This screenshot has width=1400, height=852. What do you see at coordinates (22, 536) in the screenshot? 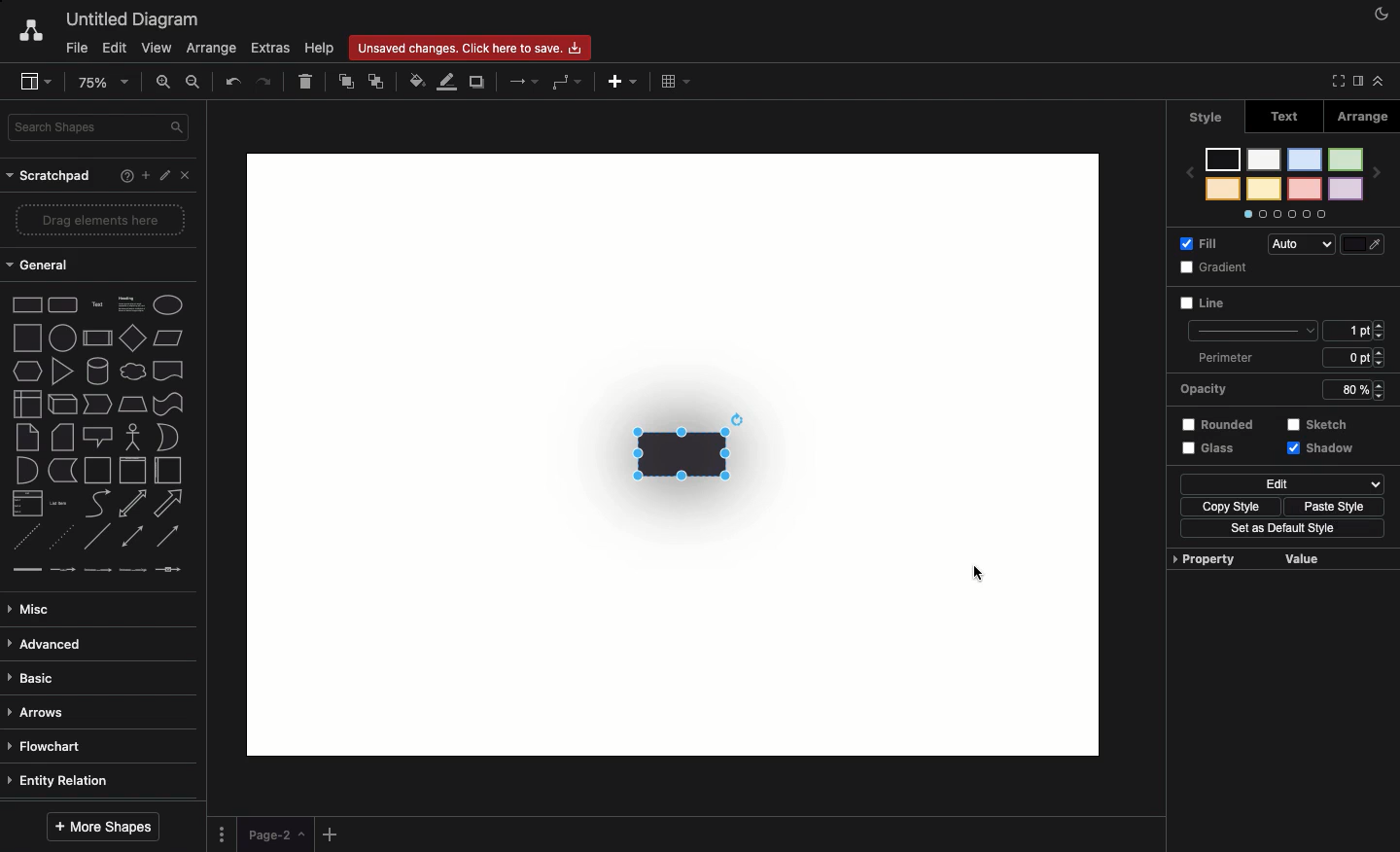
I see `dashed line` at bounding box center [22, 536].